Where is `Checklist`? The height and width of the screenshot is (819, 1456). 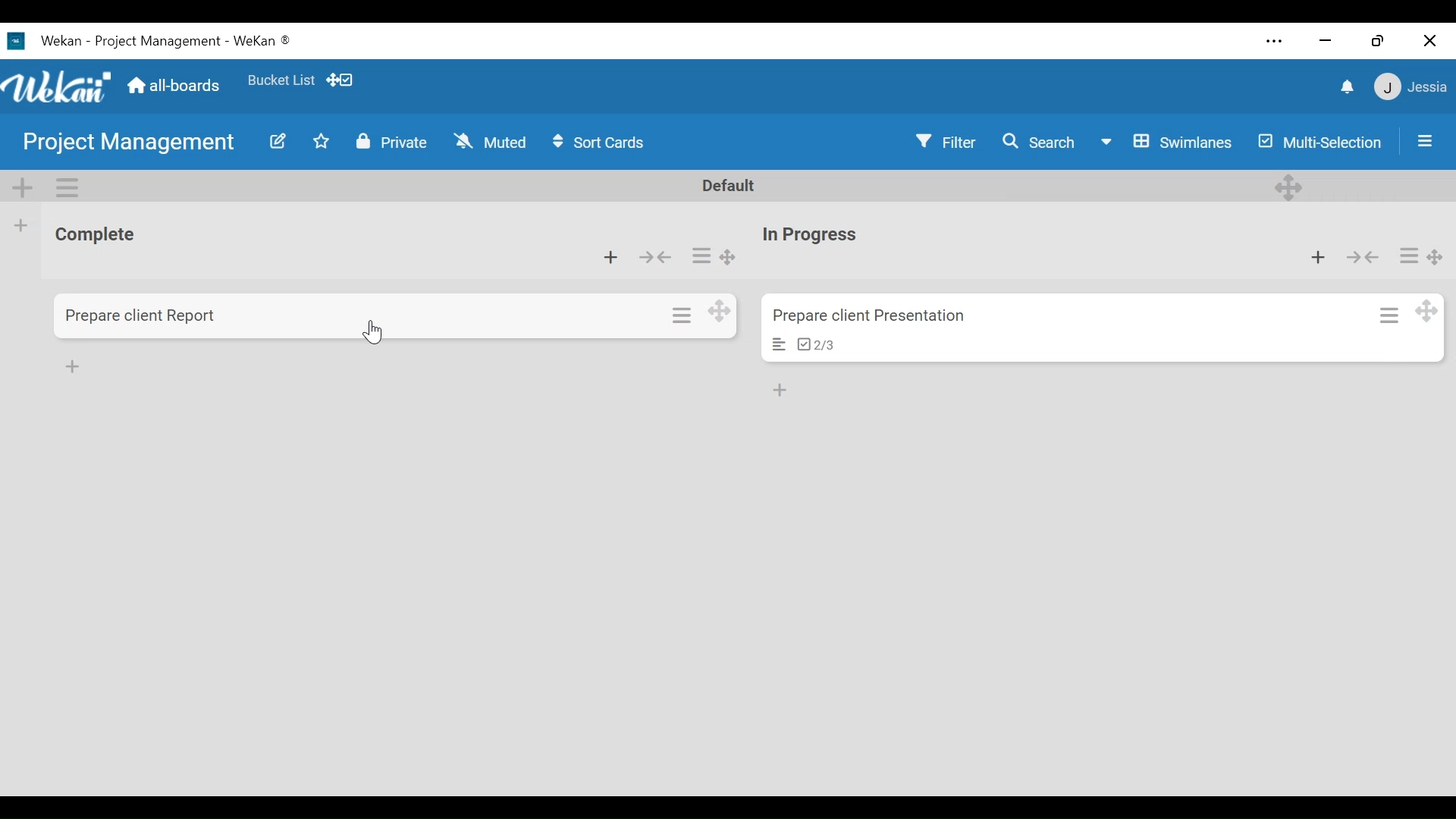
Checklist is located at coordinates (816, 344).